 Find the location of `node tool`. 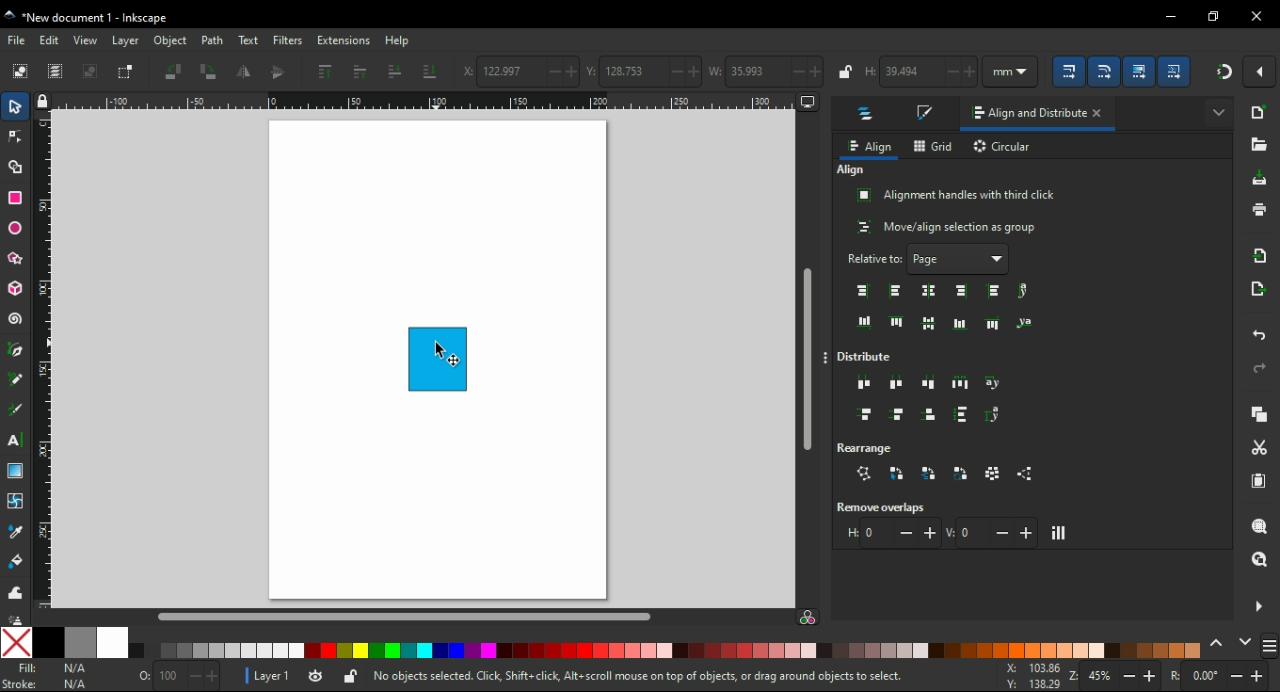

node tool is located at coordinates (16, 138).